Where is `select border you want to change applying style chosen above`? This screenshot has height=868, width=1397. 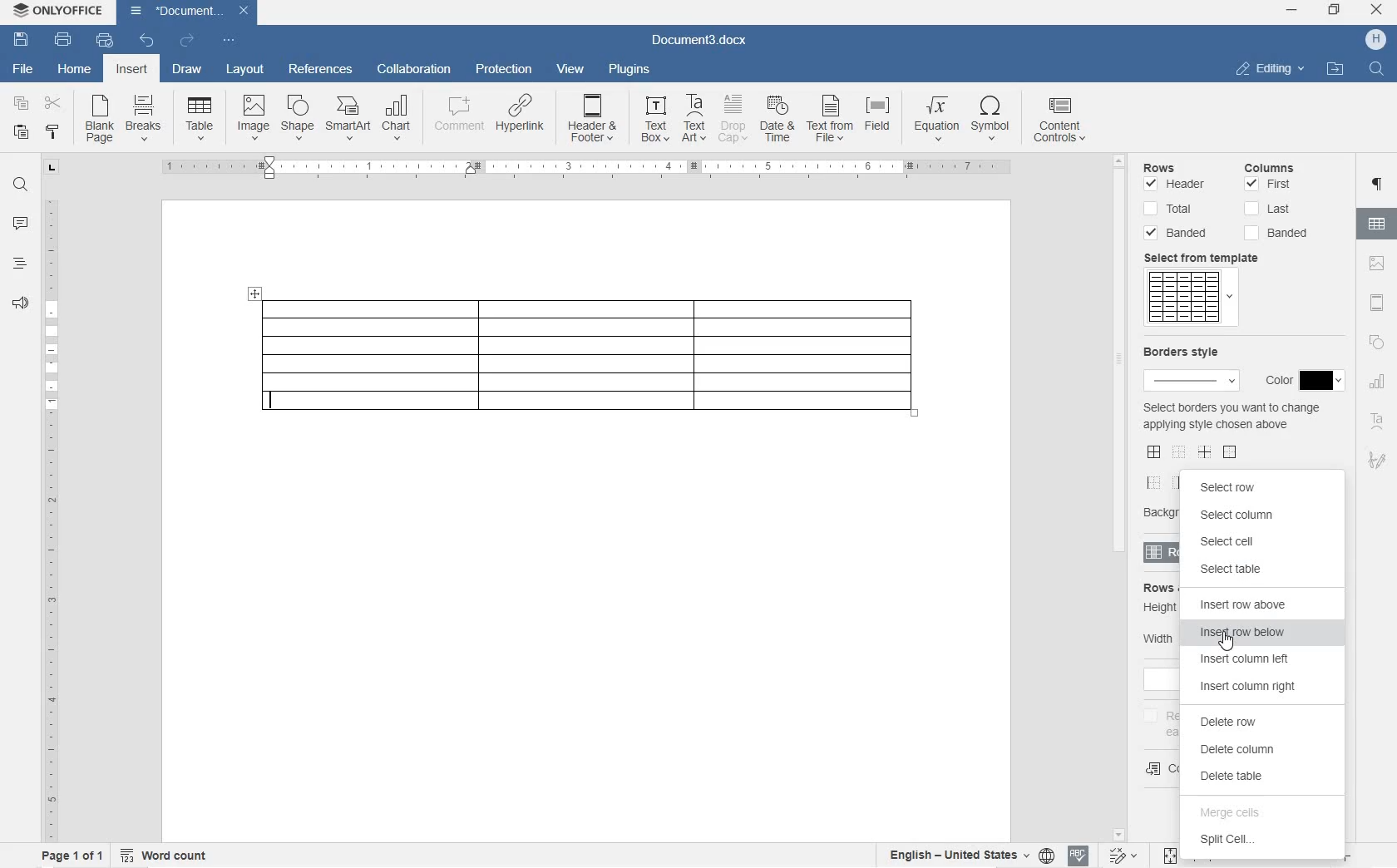 select border you want to change applying style chosen above is located at coordinates (1232, 434).